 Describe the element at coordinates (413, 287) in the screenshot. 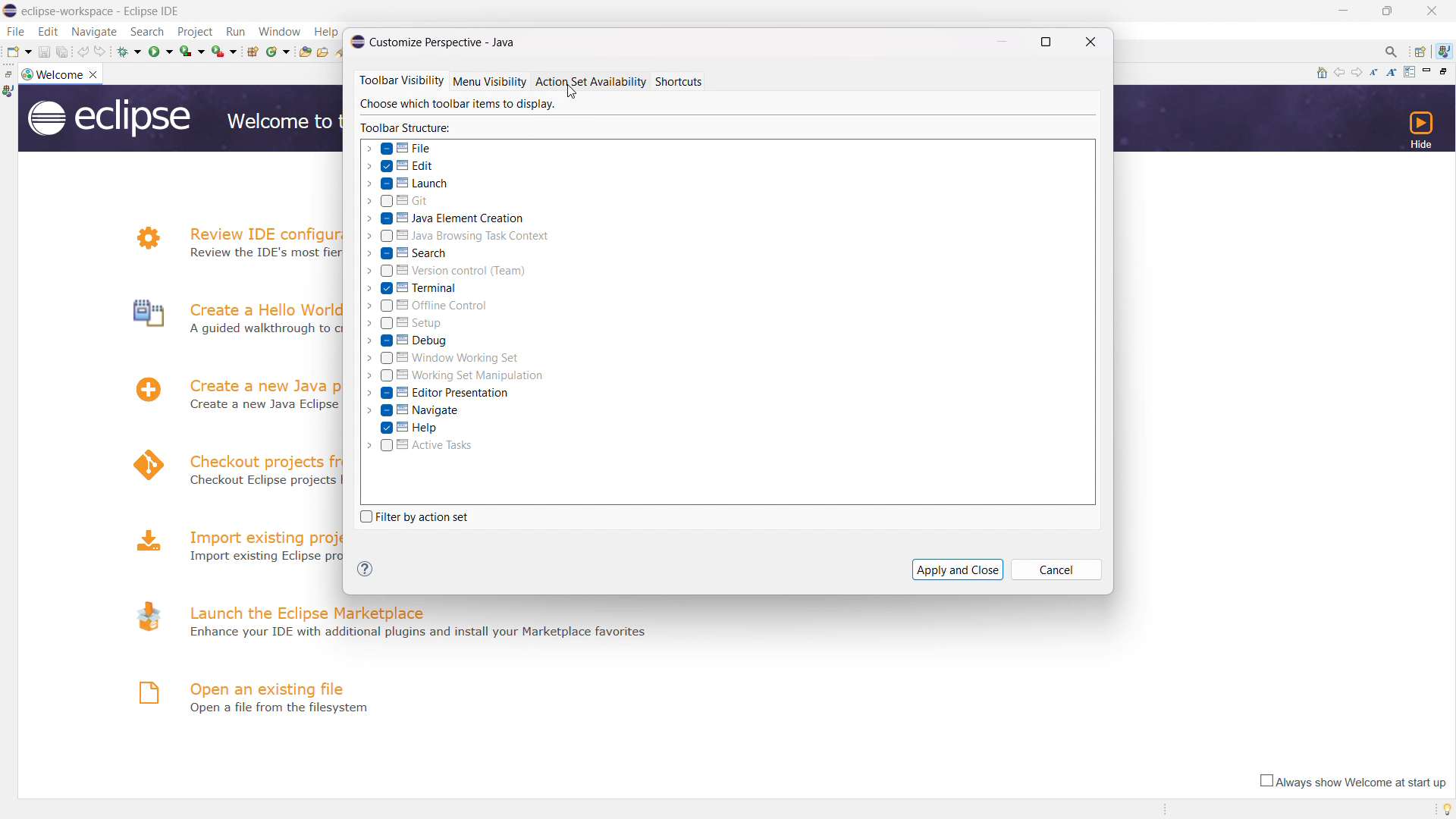

I see `terminal` at that location.